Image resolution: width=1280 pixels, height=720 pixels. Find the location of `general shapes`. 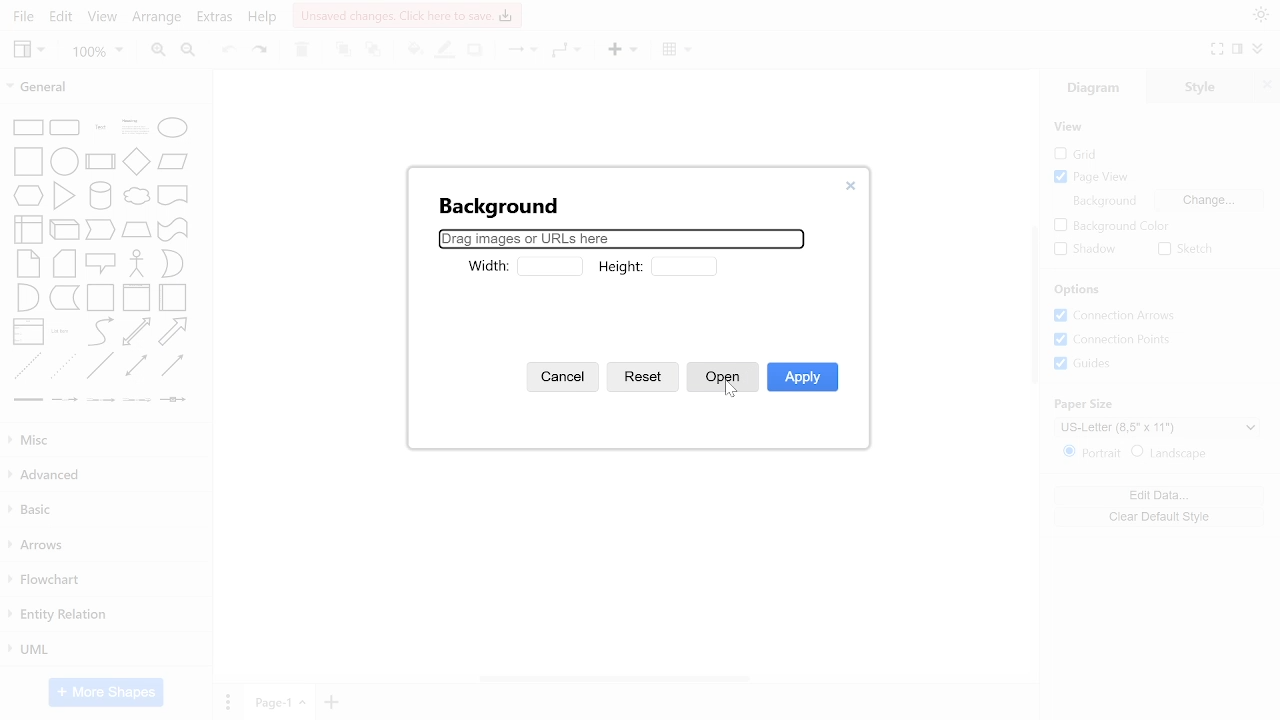

general shapes is located at coordinates (173, 297).